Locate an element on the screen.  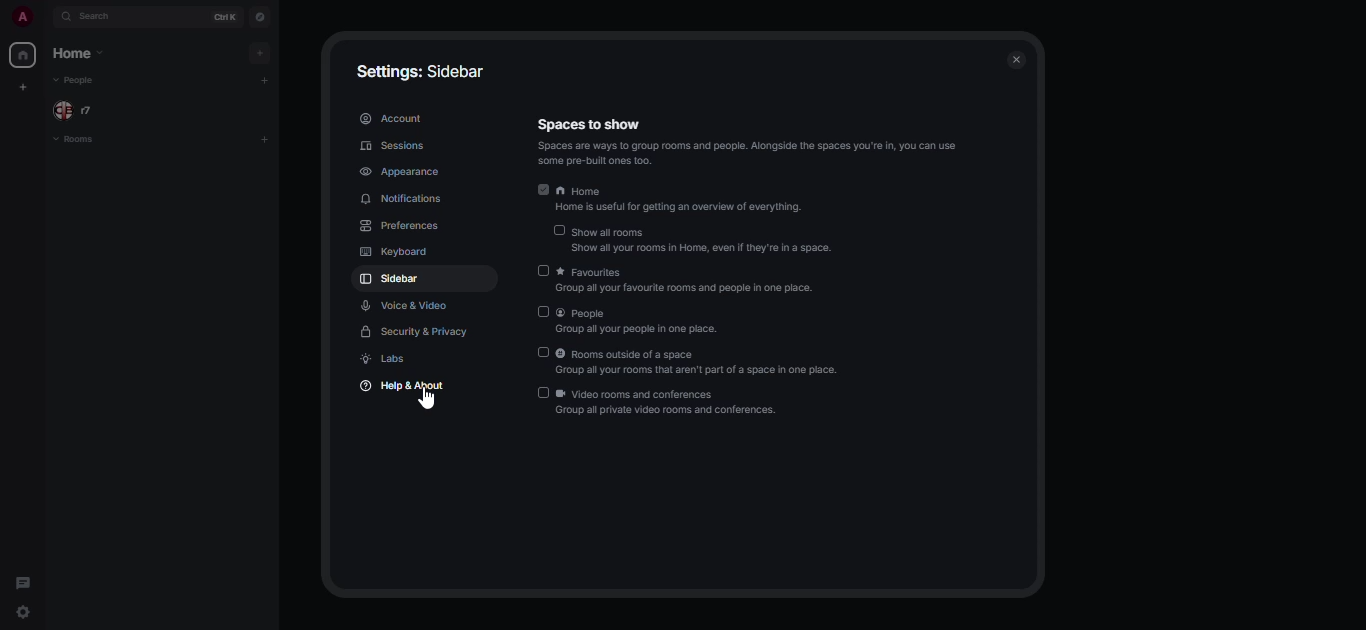
add is located at coordinates (259, 52).